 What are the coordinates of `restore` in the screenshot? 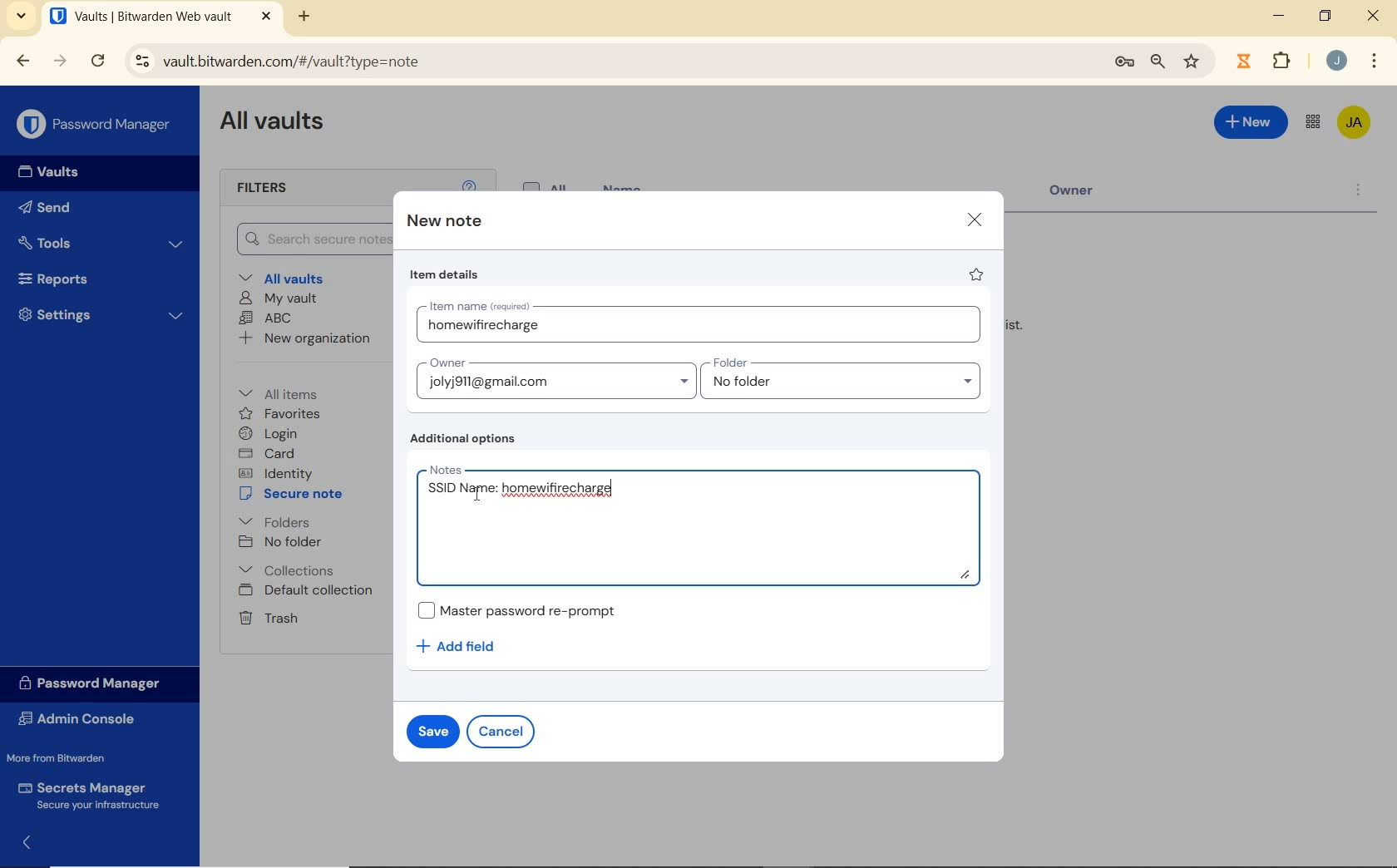 It's located at (1325, 16).